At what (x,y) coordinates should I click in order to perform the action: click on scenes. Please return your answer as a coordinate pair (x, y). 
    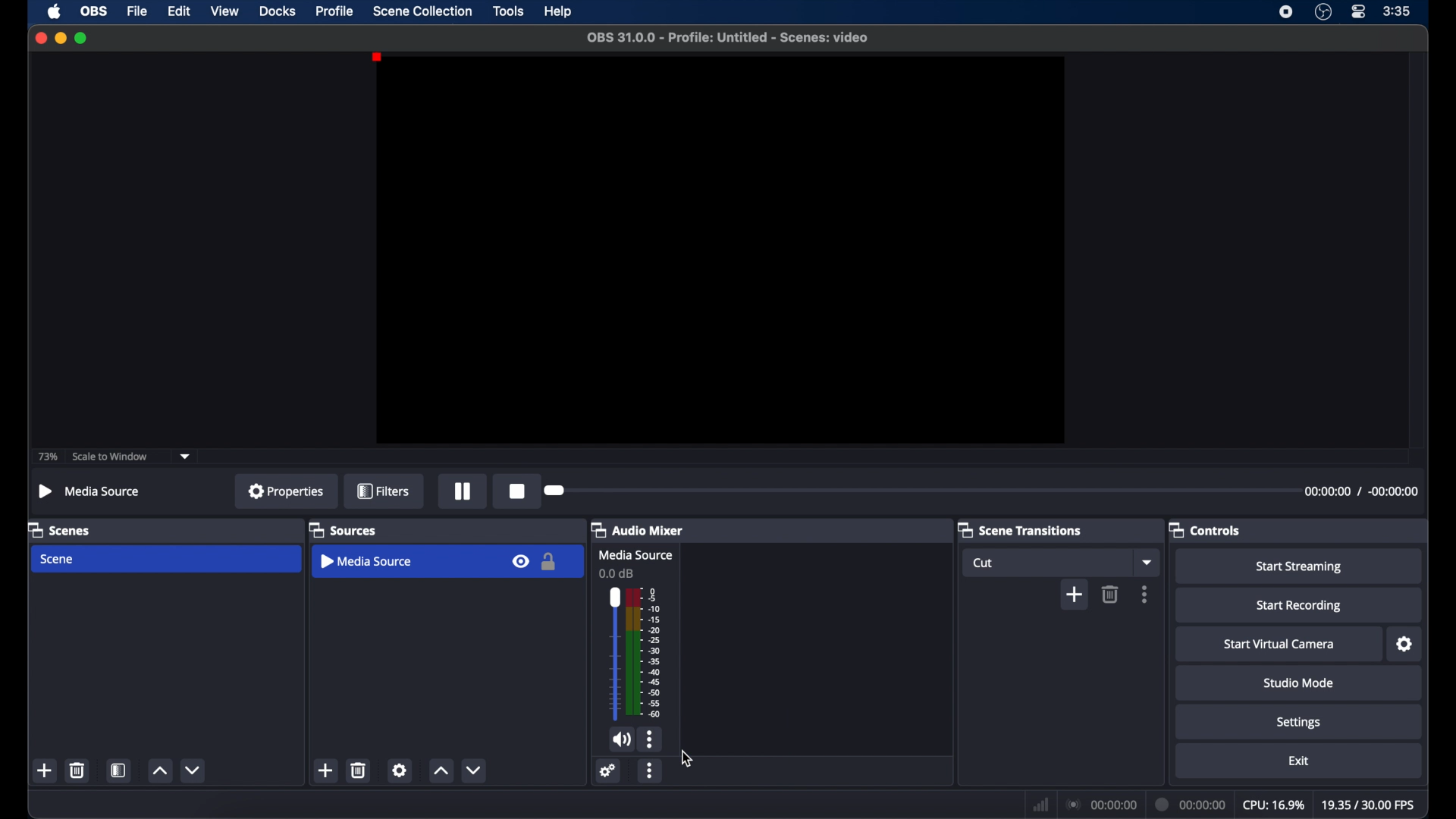
    Looking at the image, I should click on (59, 529).